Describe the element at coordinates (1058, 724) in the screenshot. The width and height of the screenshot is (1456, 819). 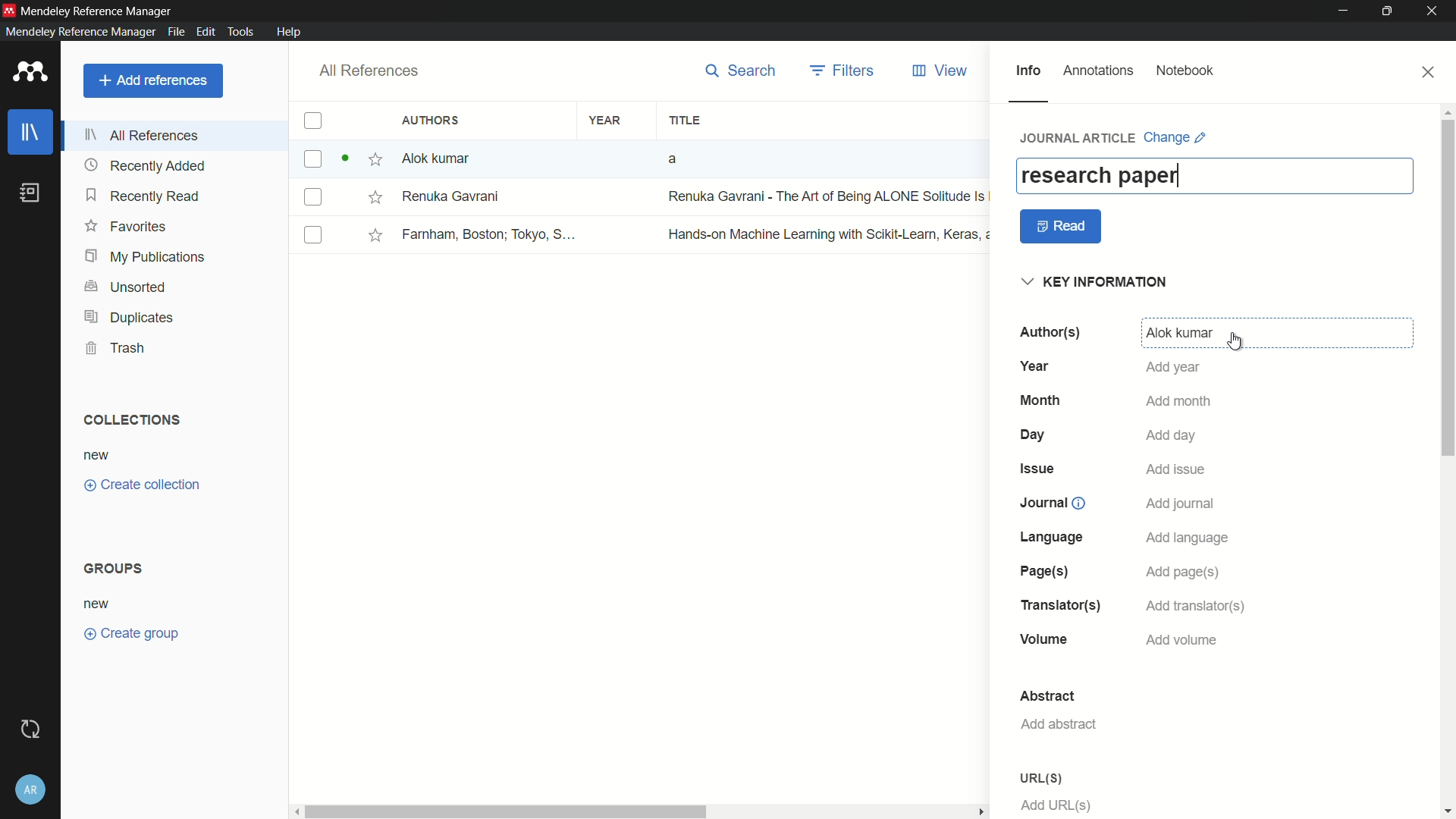
I see `add abstract` at that location.